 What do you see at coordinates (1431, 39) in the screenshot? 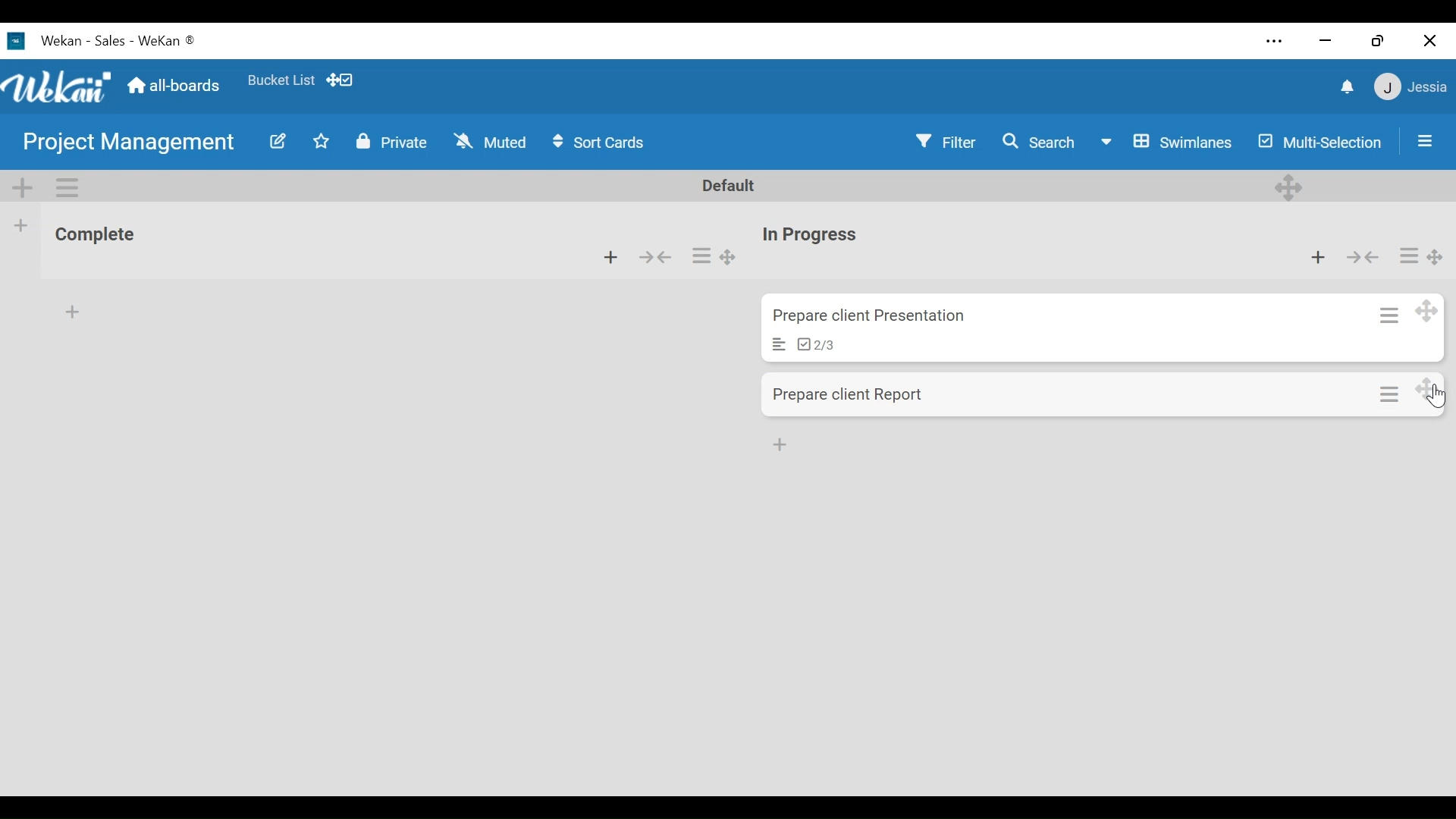
I see `Close` at bounding box center [1431, 39].